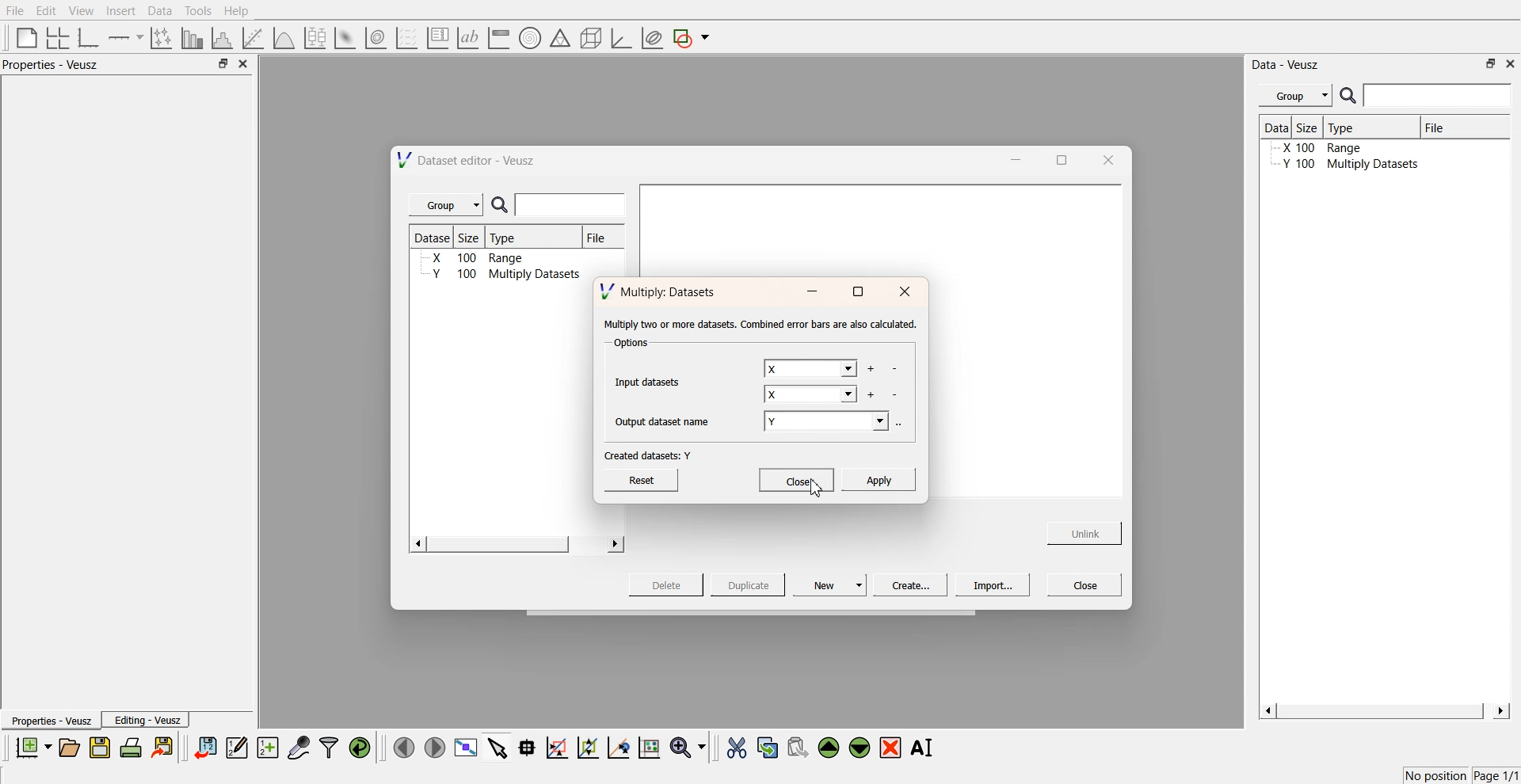 This screenshot has height=784, width=1521. I want to click on import data sets, so click(204, 748).